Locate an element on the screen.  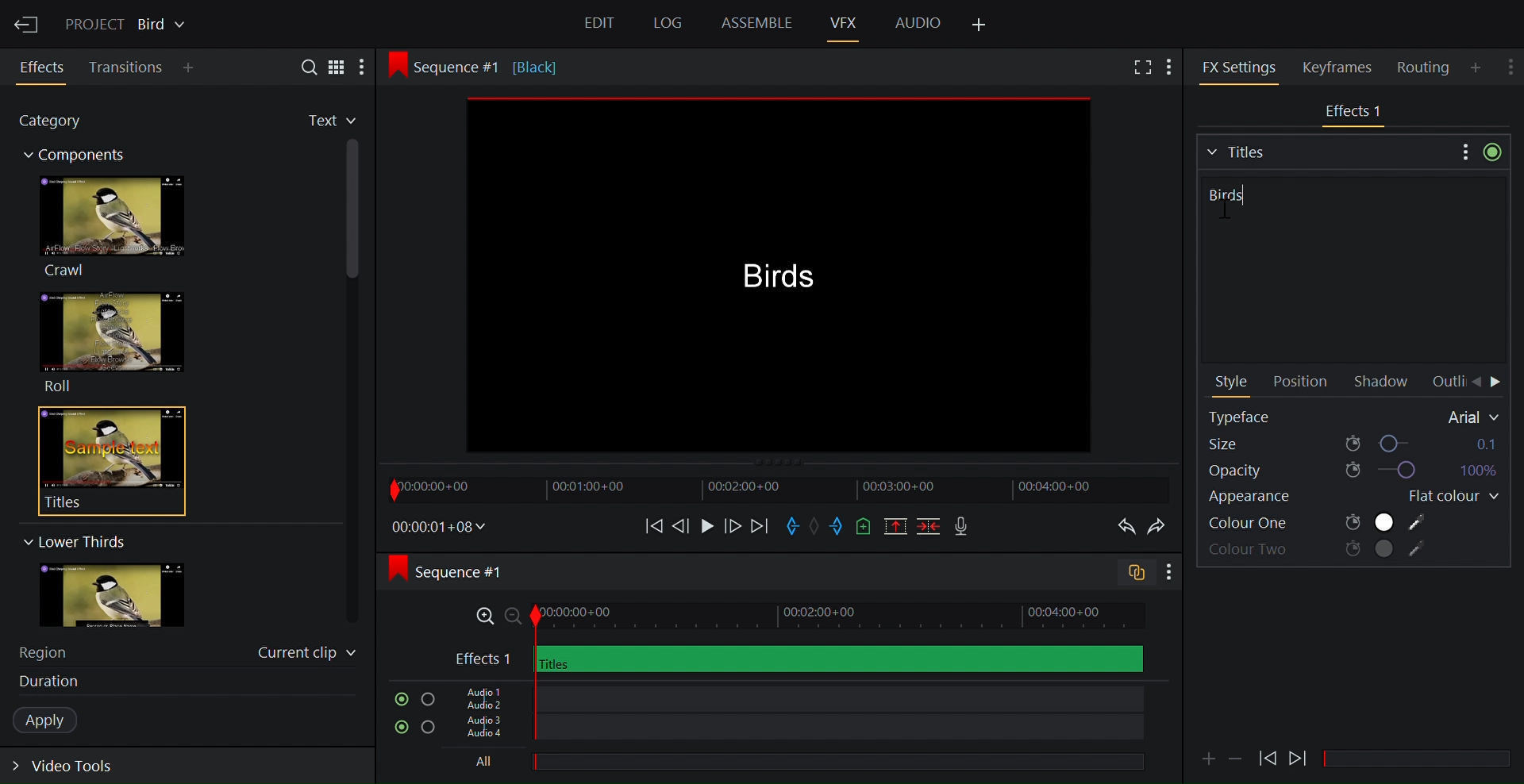
Play is located at coordinates (706, 525).